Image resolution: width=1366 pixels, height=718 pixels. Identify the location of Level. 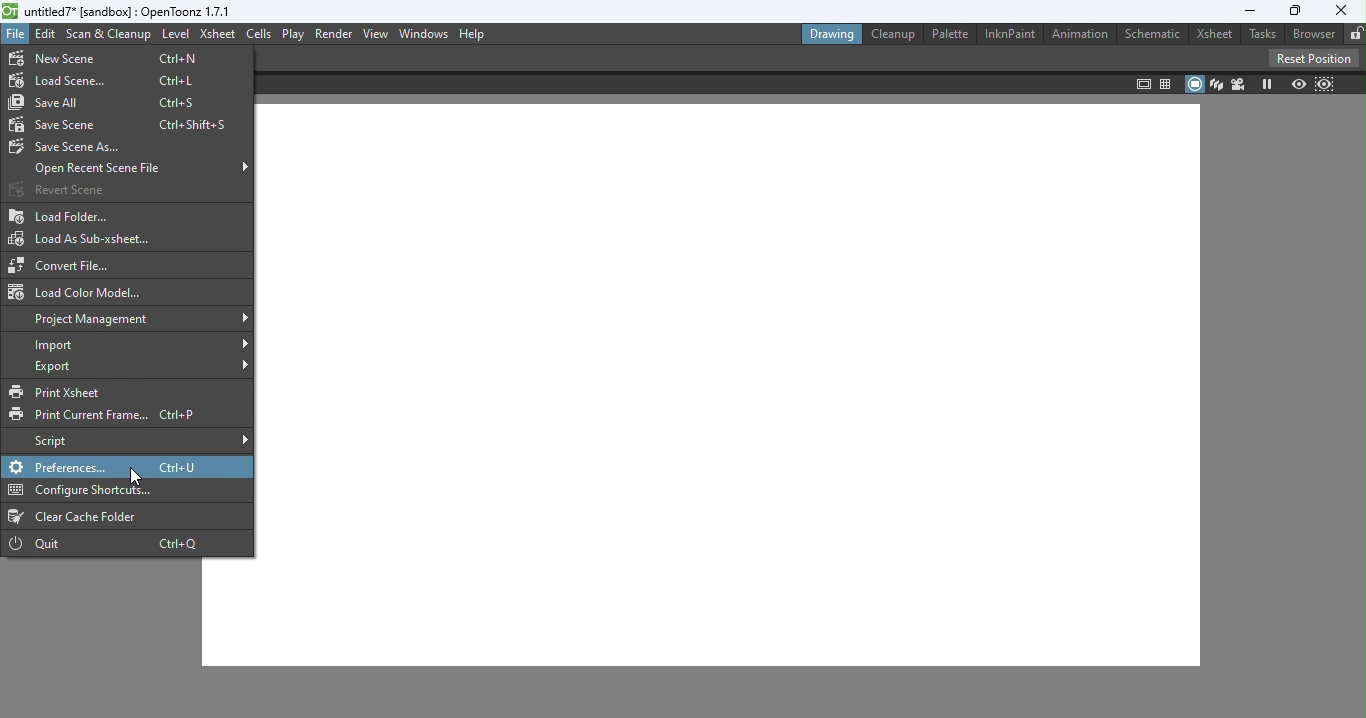
(175, 35).